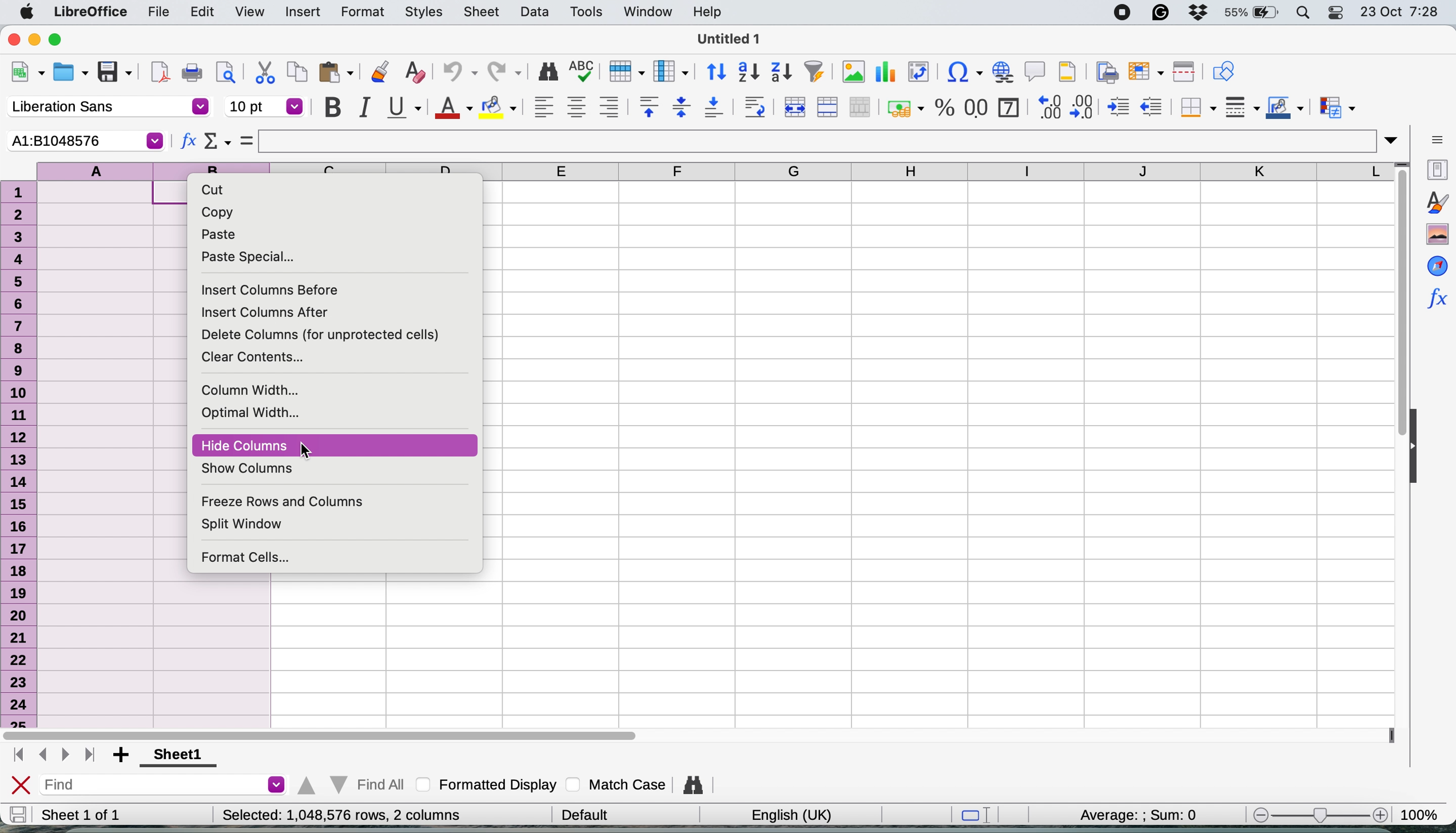  What do you see at coordinates (597, 815) in the screenshot?
I see `| Default` at bounding box center [597, 815].